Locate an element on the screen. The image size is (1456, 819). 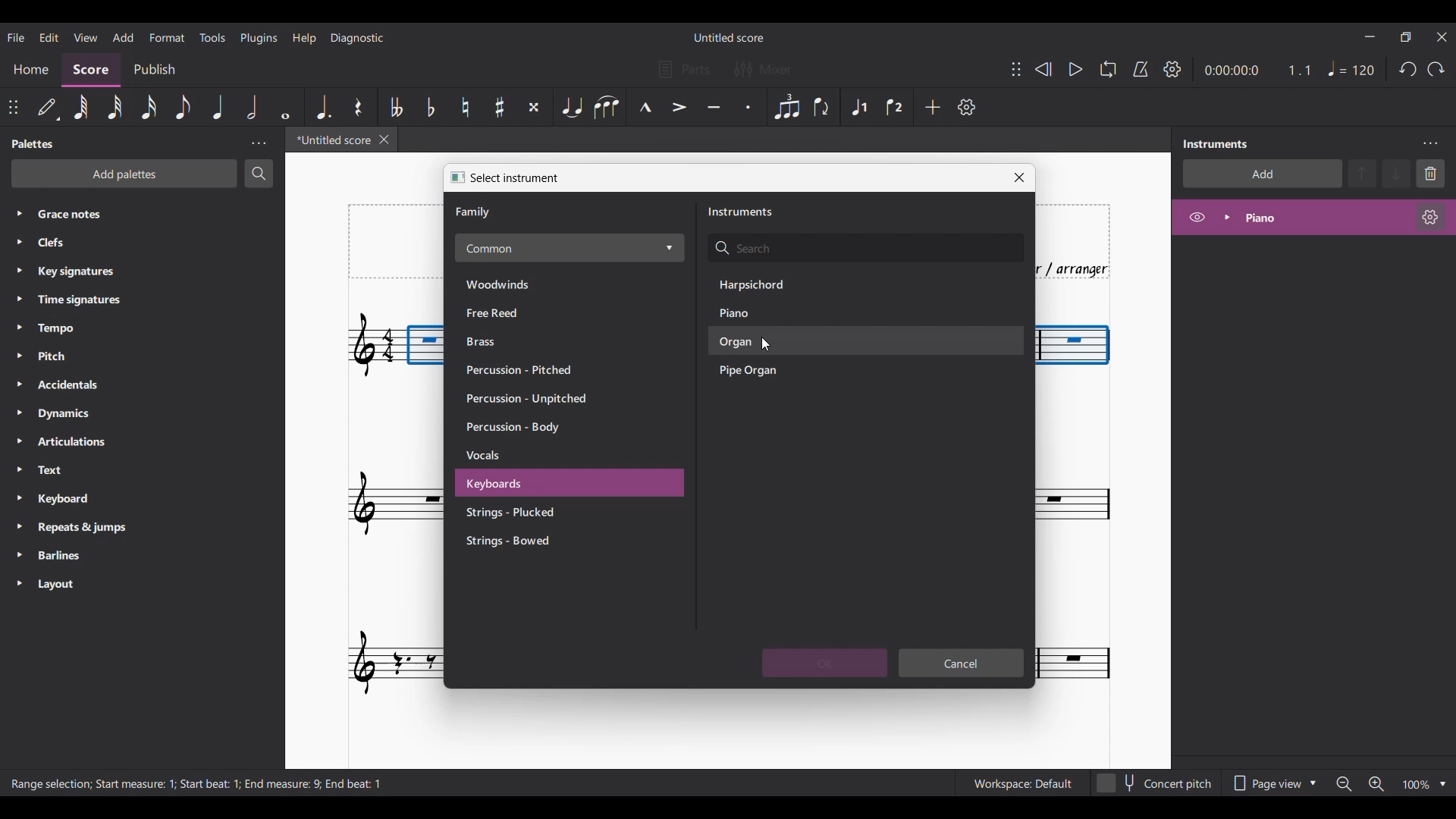
Playback settings is located at coordinates (1172, 68).